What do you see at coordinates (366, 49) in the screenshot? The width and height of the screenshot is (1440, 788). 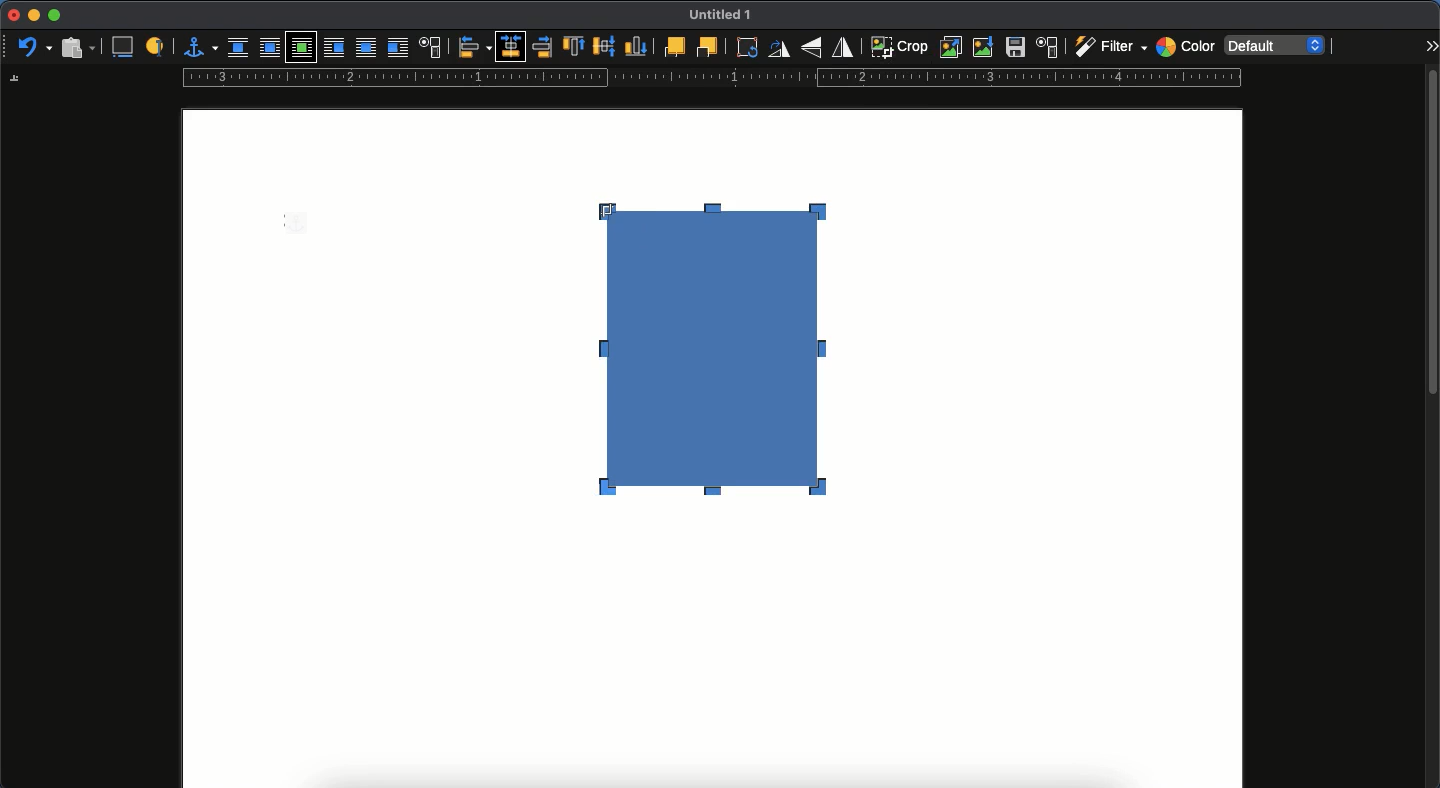 I see `through` at bounding box center [366, 49].